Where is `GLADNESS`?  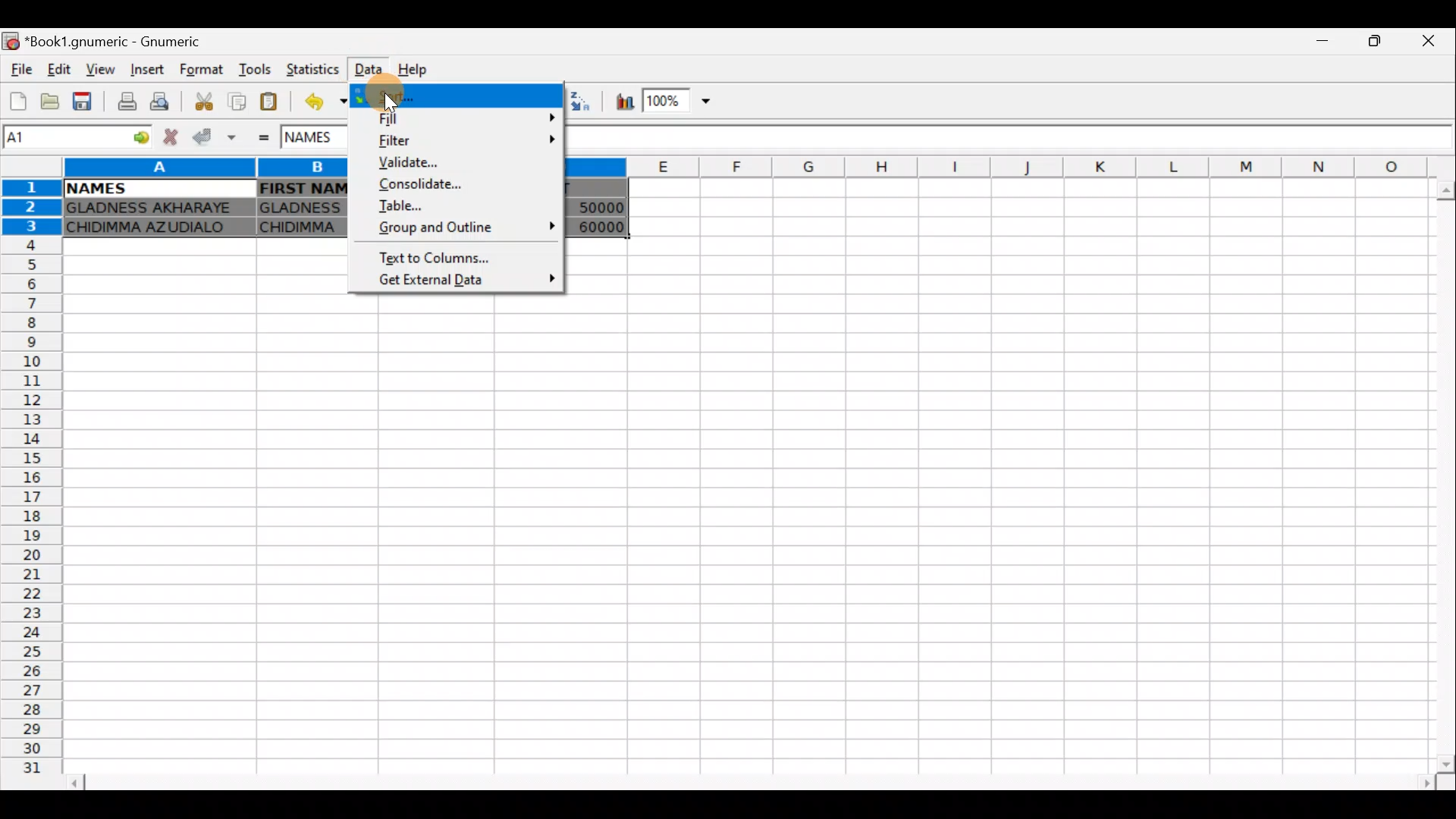 GLADNESS is located at coordinates (301, 206).